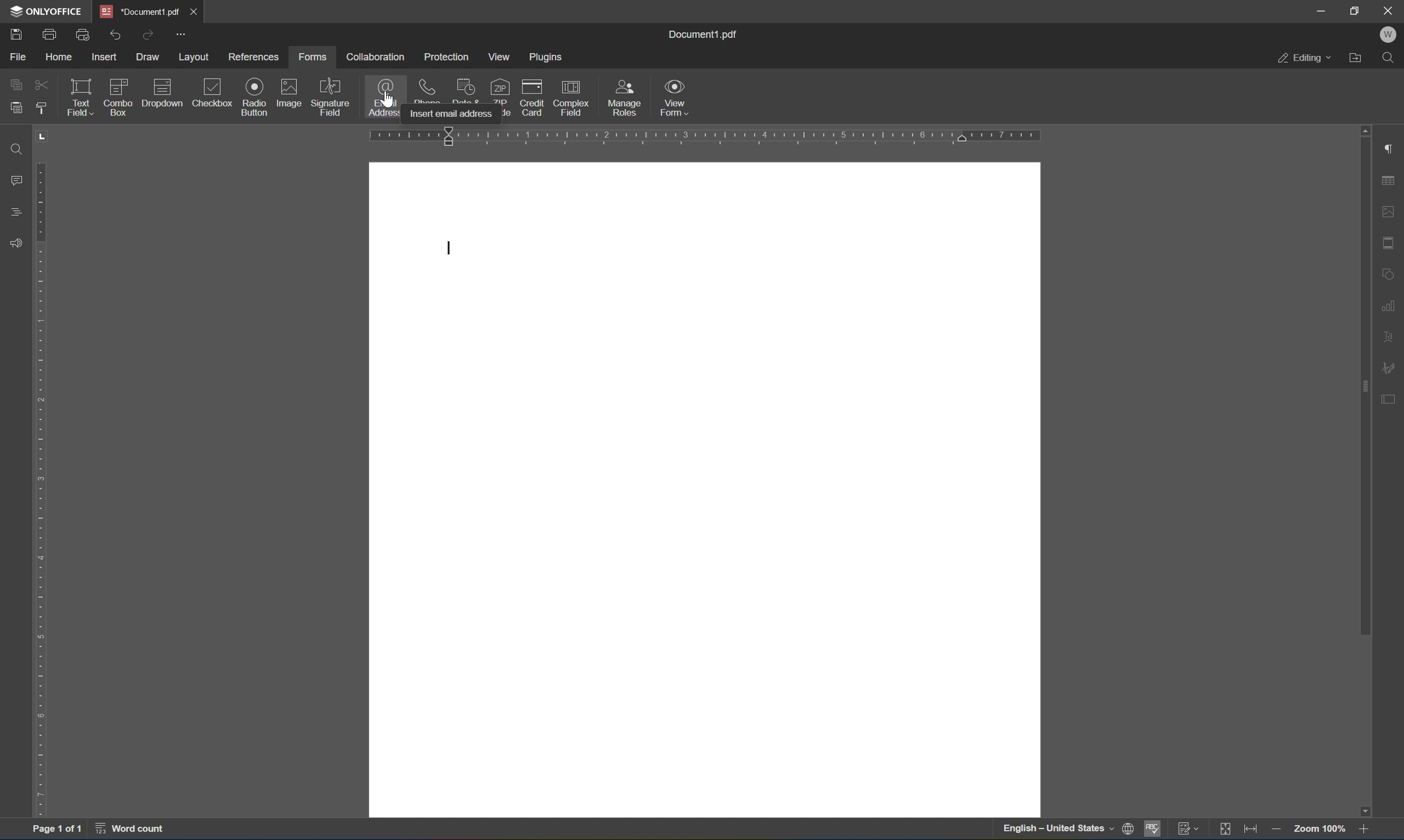 This screenshot has width=1404, height=840. I want to click on ruler, so click(705, 135).